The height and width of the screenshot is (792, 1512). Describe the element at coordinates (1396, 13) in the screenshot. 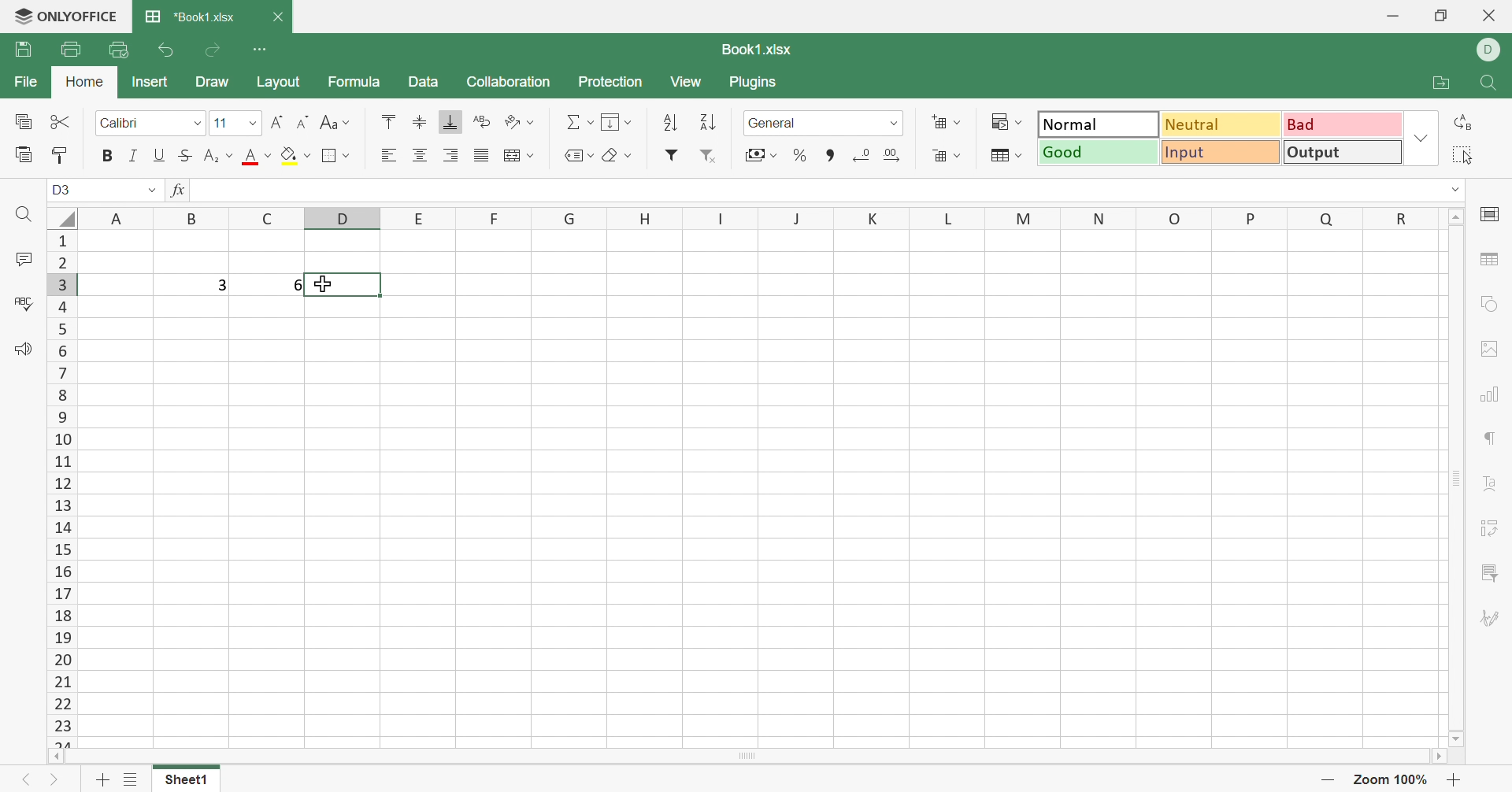

I see `Minimize` at that location.